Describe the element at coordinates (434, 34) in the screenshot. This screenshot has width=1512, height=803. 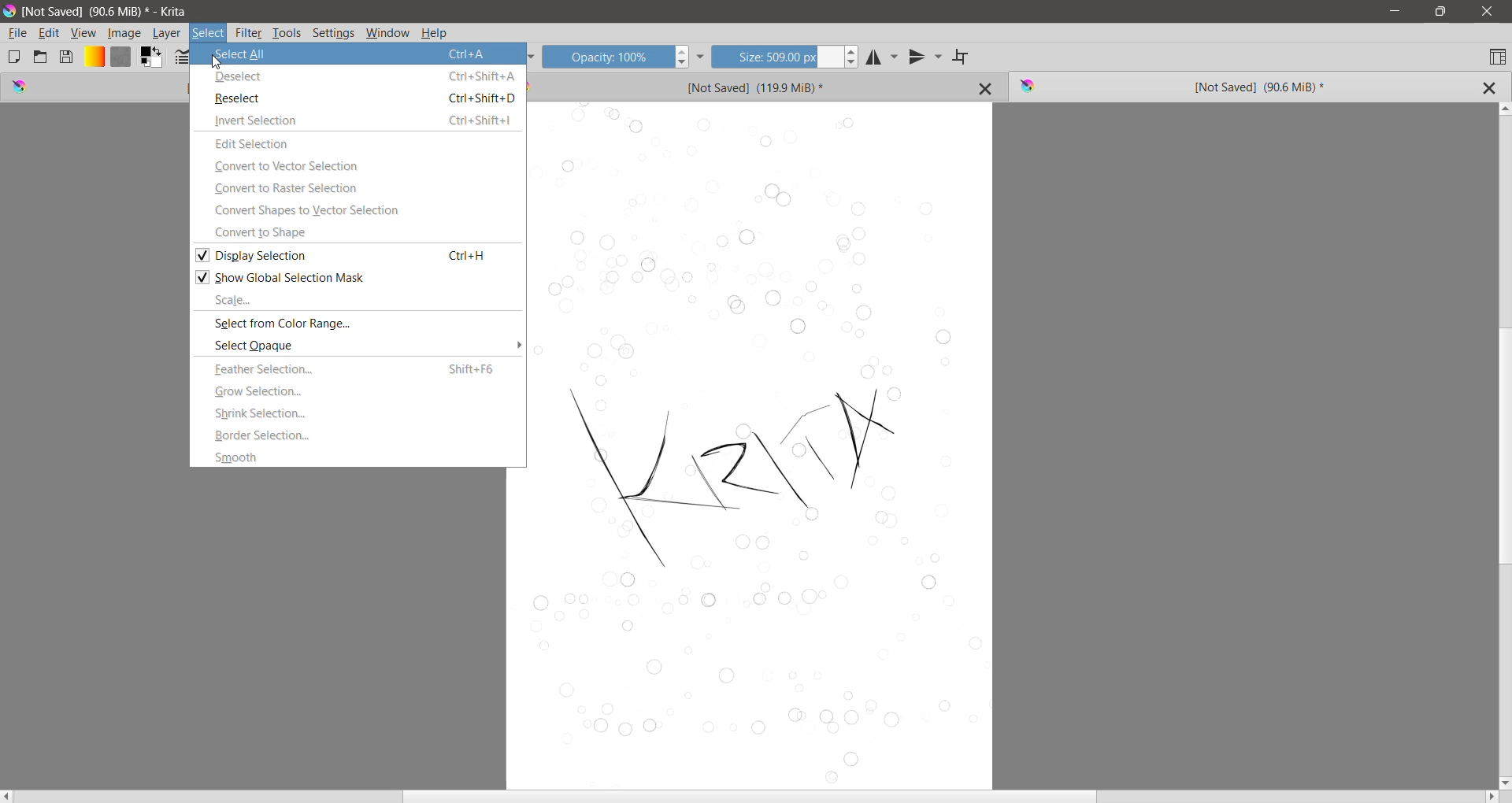
I see `Help` at that location.